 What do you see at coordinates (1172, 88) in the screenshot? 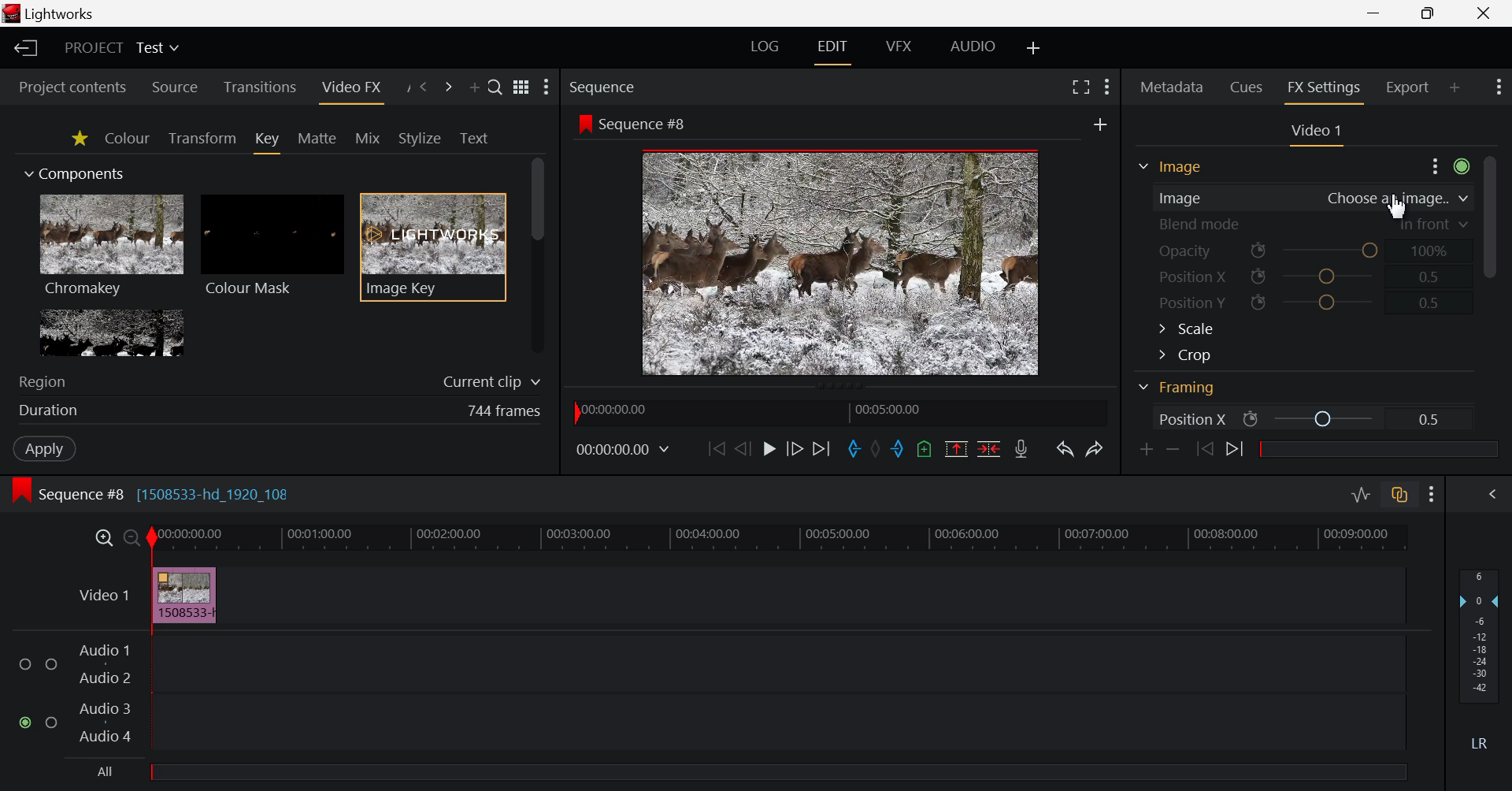
I see `Metadata` at bounding box center [1172, 88].